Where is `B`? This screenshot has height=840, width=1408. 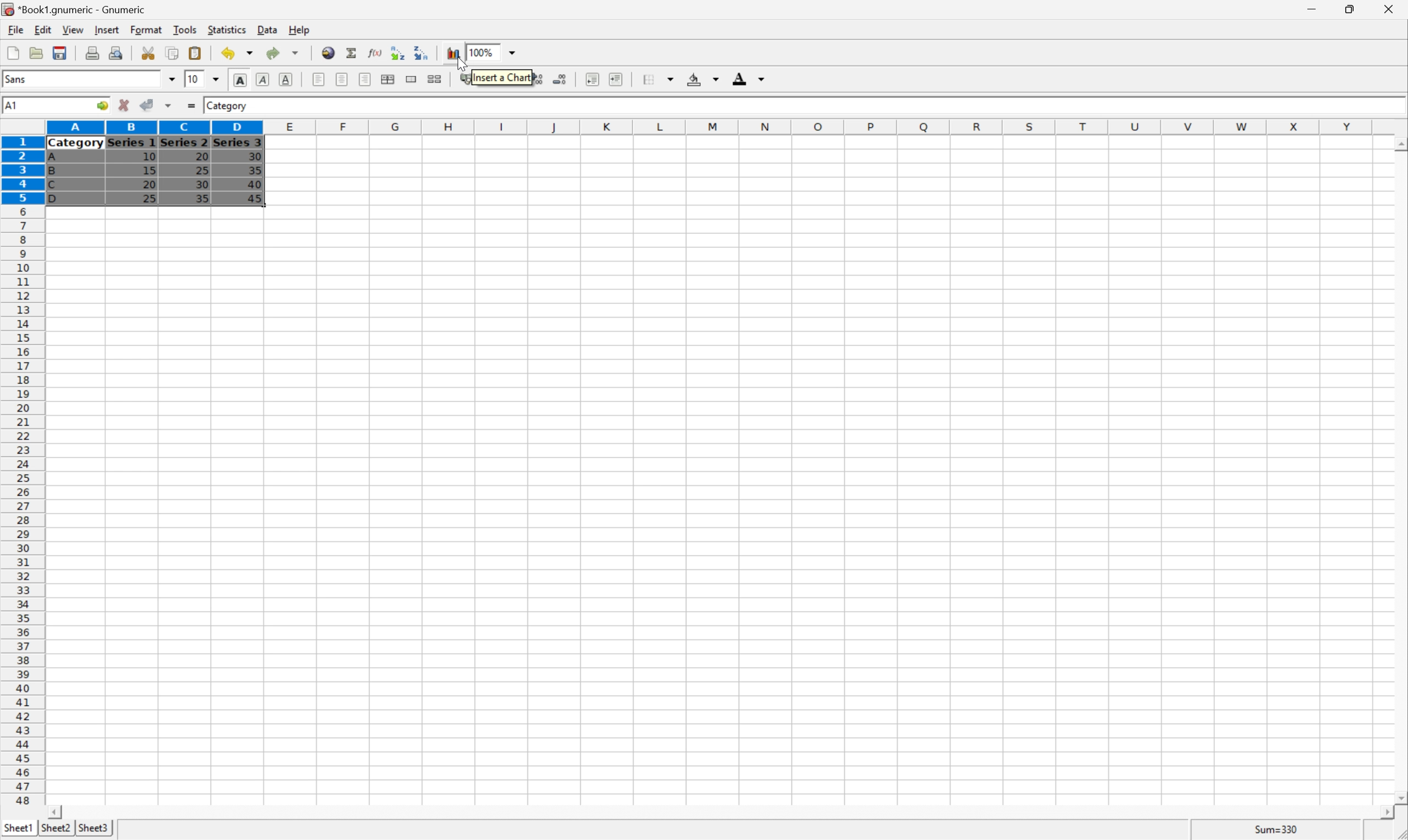
B is located at coordinates (52, 172).